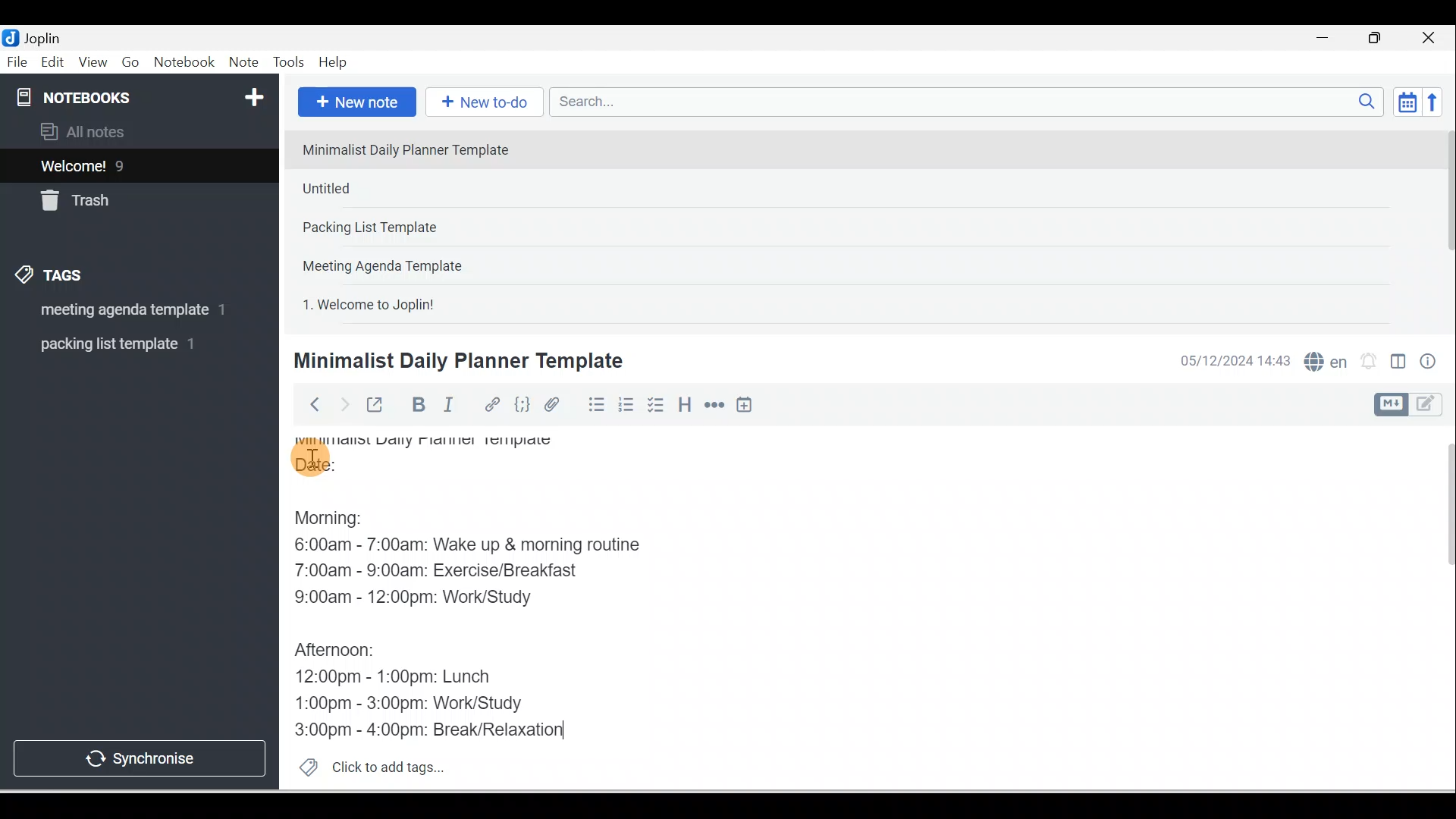  Describe the element at coordinates (137, 131) in the screenshot. I see `All notes` at that location.